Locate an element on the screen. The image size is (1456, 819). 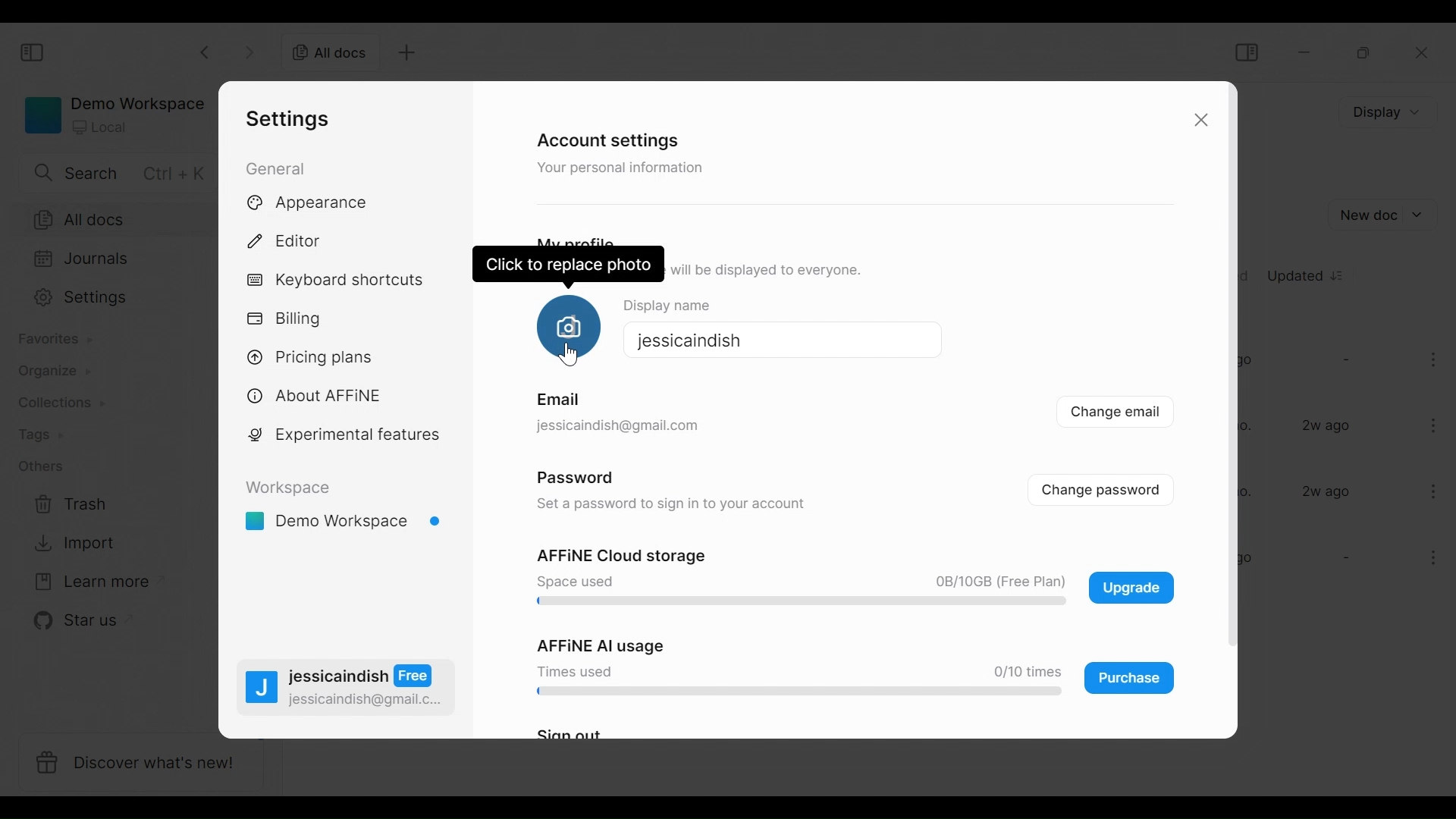
Click to replace photo is located at coordinates (566, 325).